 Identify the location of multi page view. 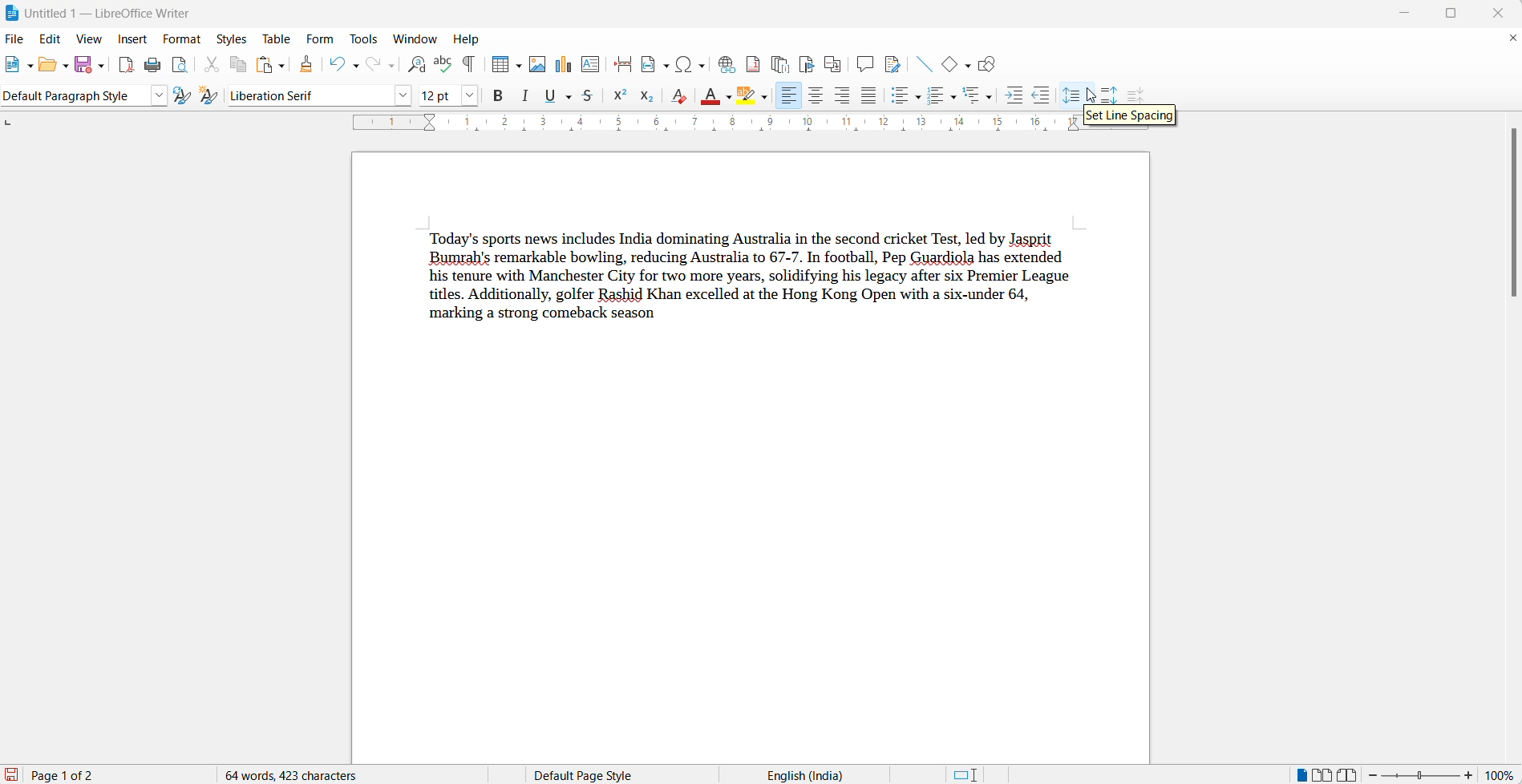
(1322, 774).